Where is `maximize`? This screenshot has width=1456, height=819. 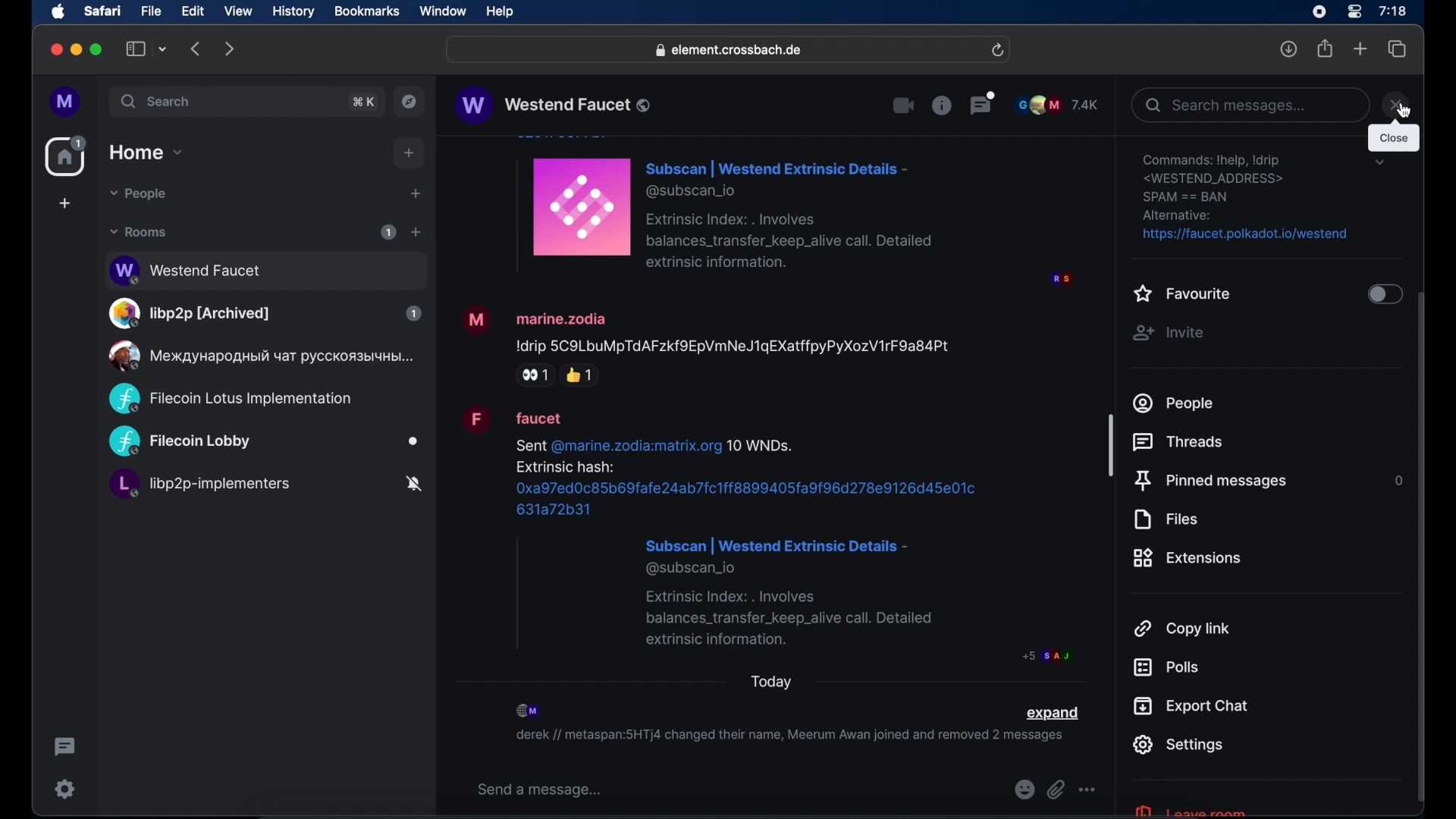
maximize is located at coordinates (98, 49).